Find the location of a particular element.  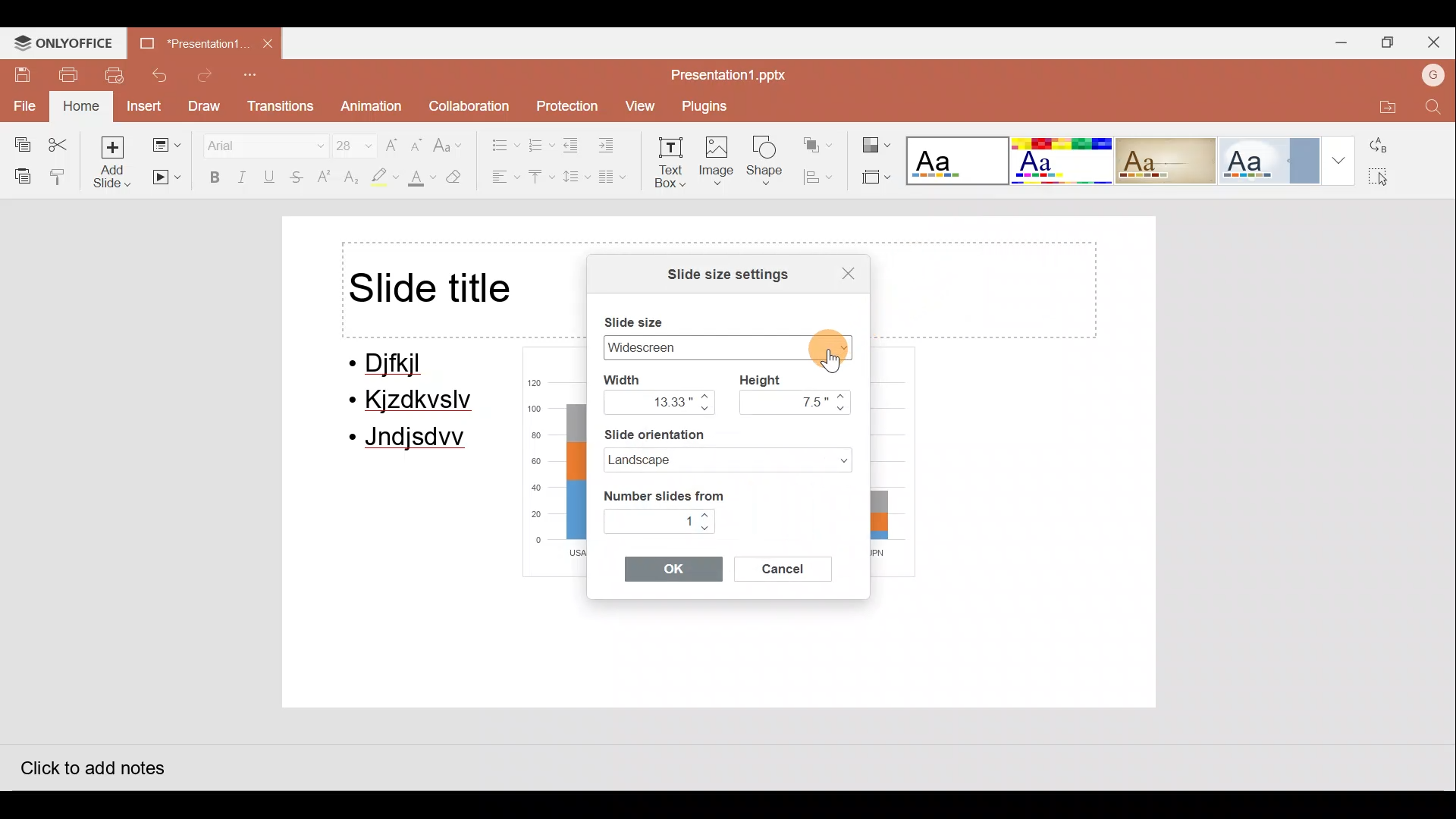

Slide orientation is located at coordinates (698, 435).